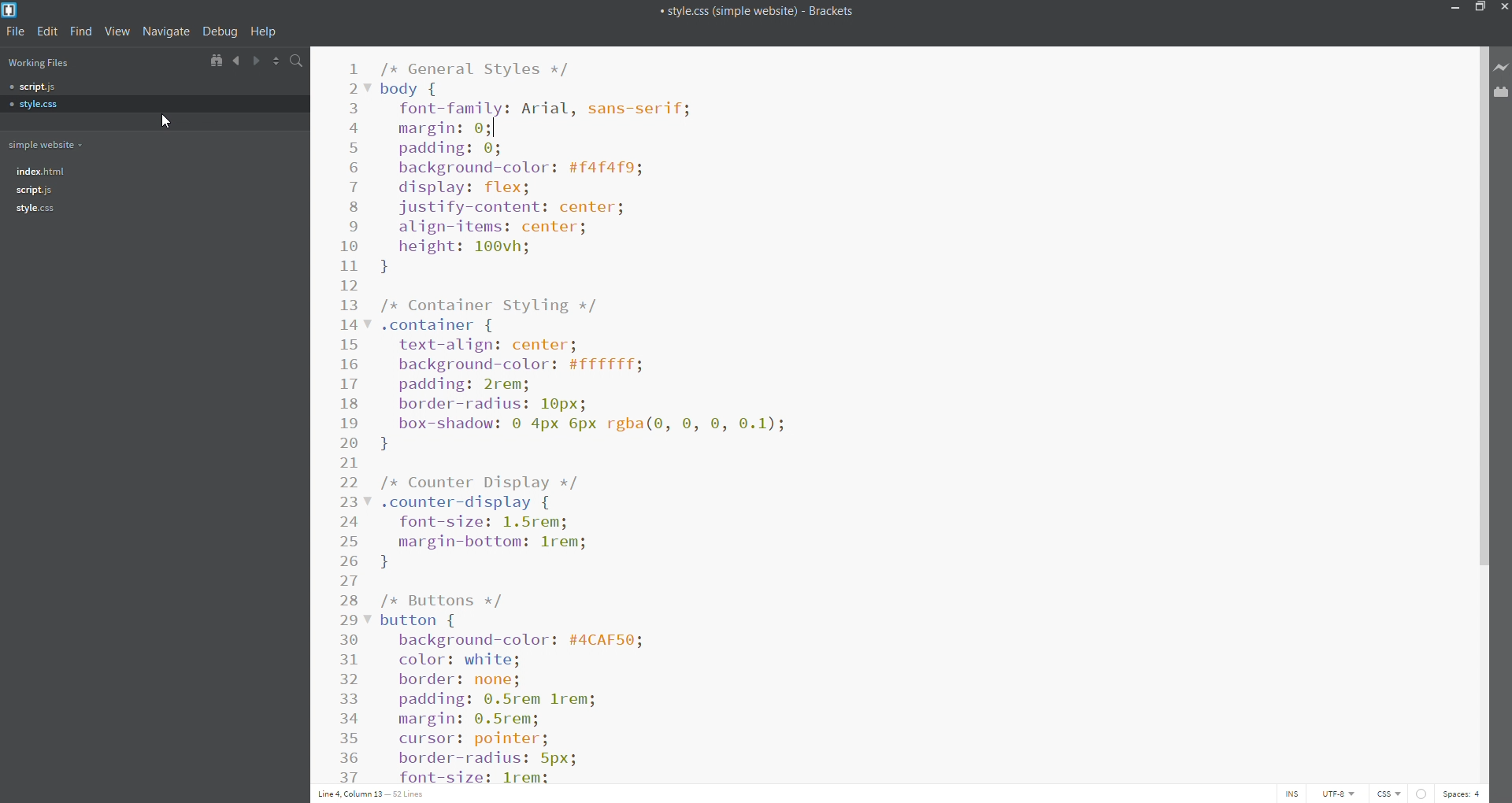  What do you see at coordinates (922, 412) in the screenshot?
I see `simple css styling` at bounding box center [922, 412].